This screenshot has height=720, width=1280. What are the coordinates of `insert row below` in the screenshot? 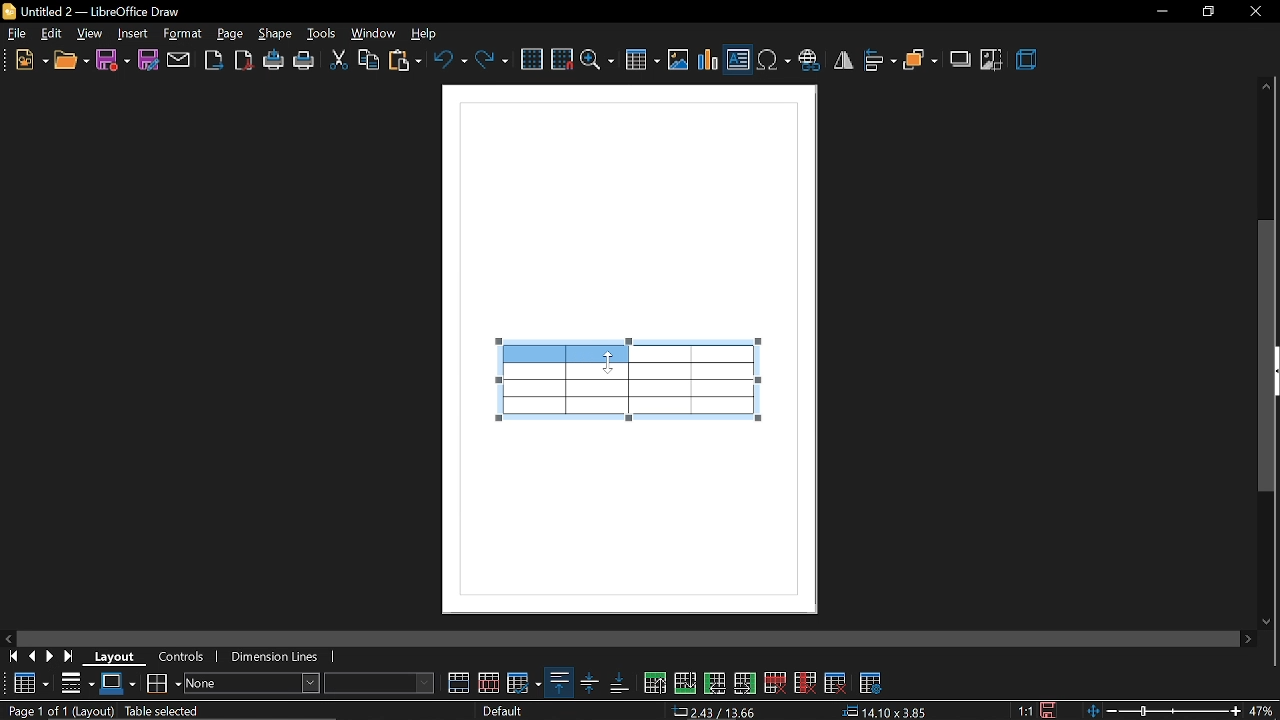 It's located at (686, 682).